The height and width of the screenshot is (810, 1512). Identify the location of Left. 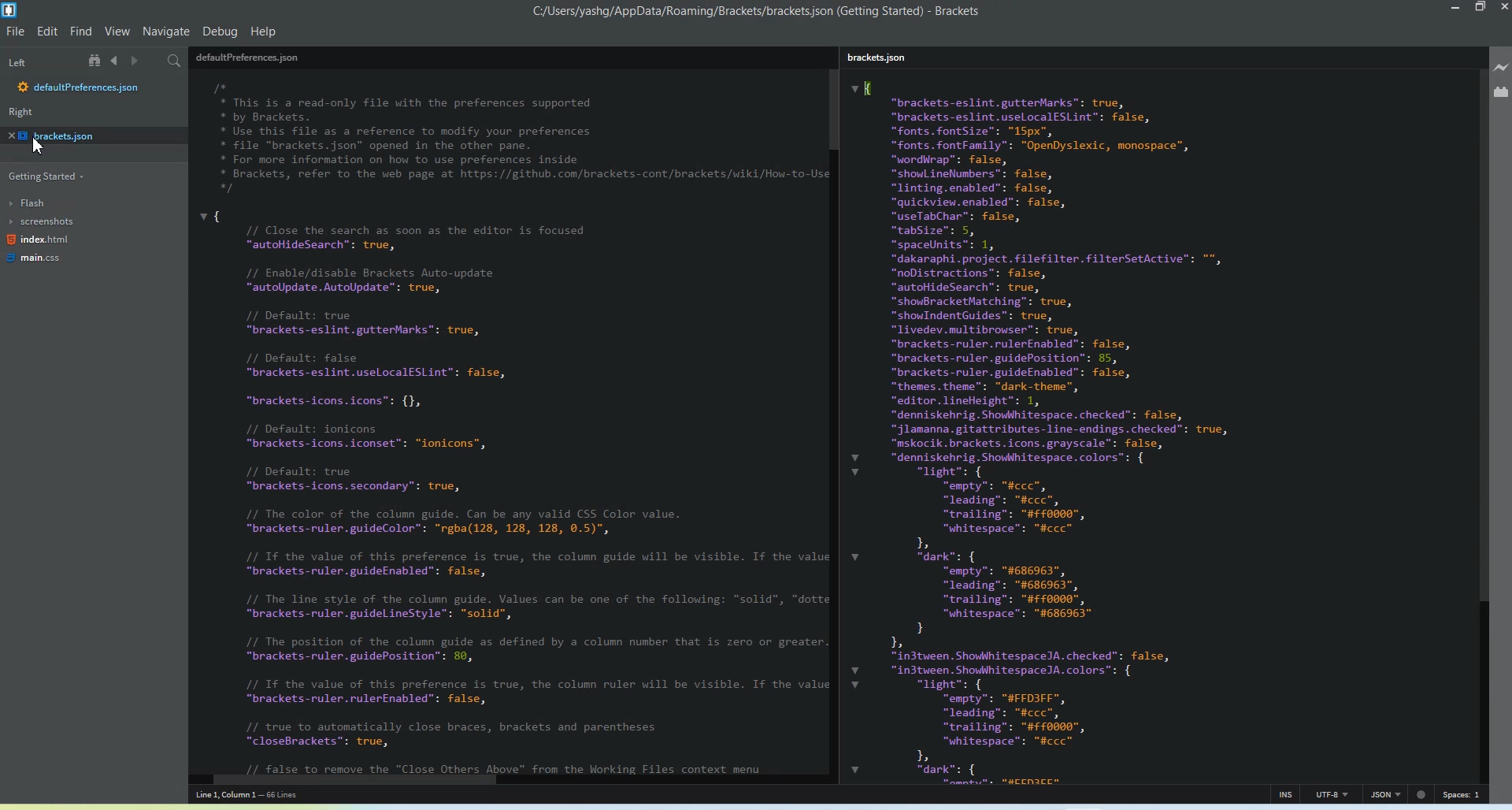
(17, 62).